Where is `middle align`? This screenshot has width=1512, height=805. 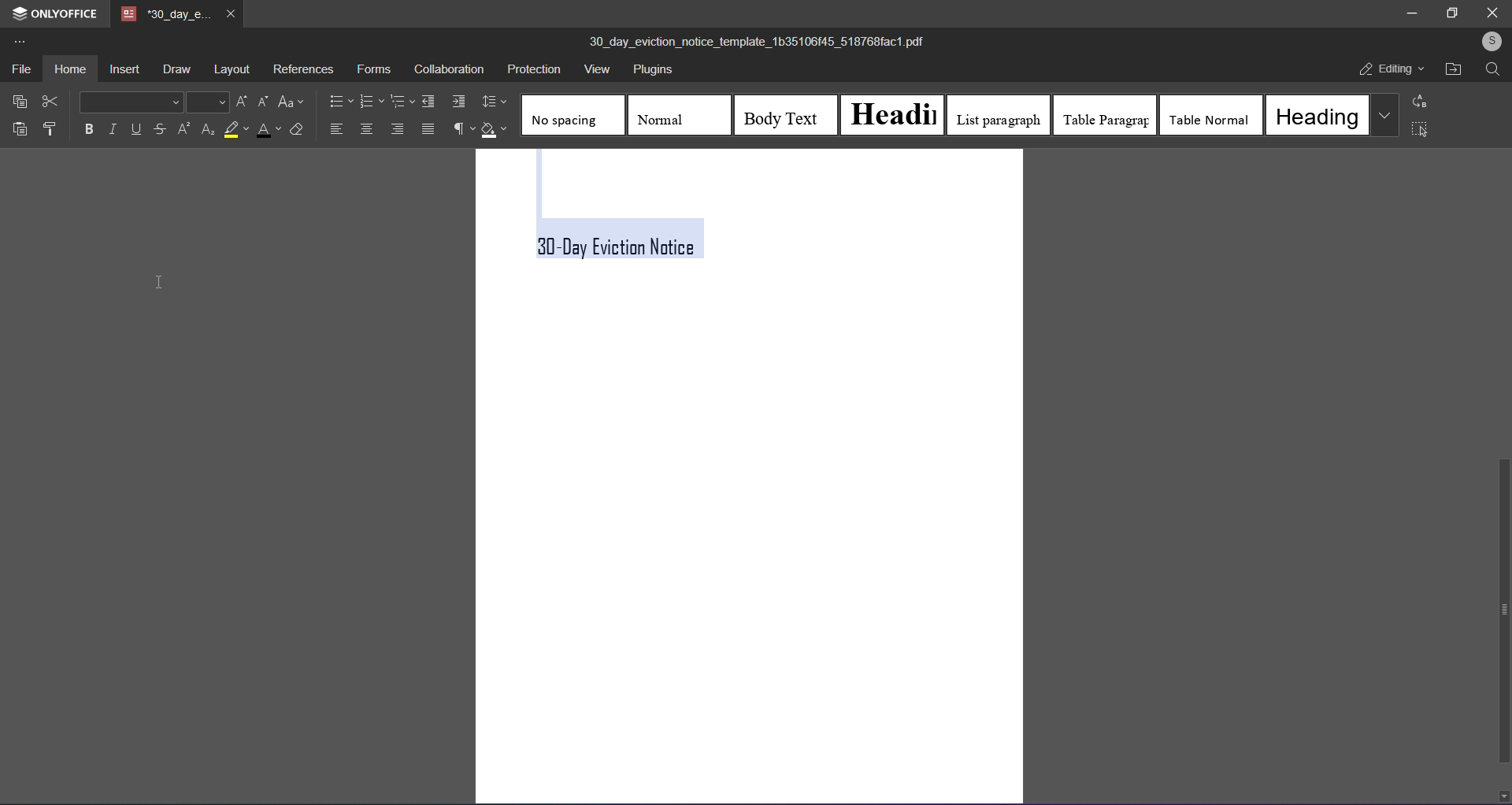
middle align is located at coordinates (367, 129).